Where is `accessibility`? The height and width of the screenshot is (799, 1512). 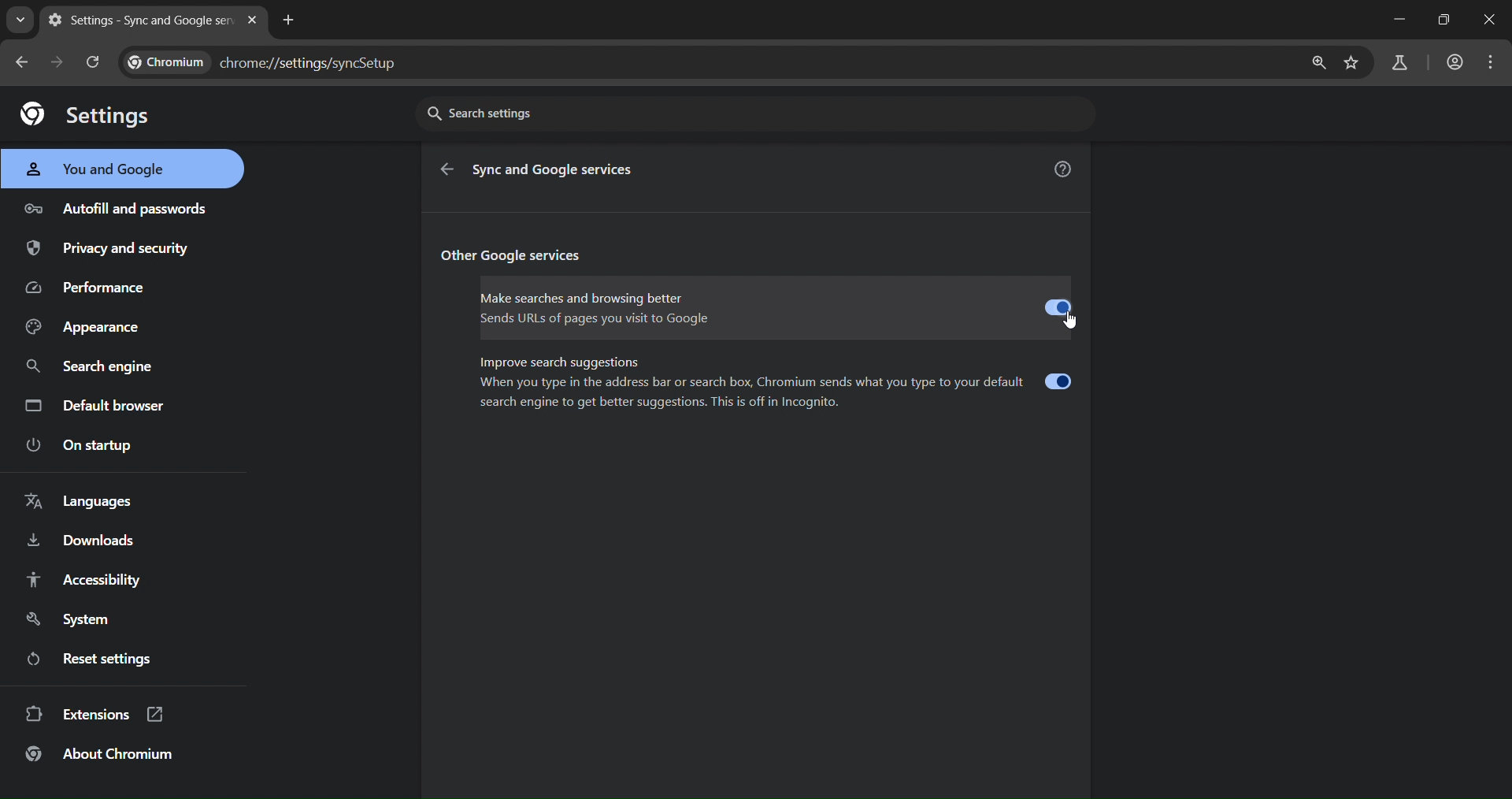
accessibility is located at coordinates (88, 581).